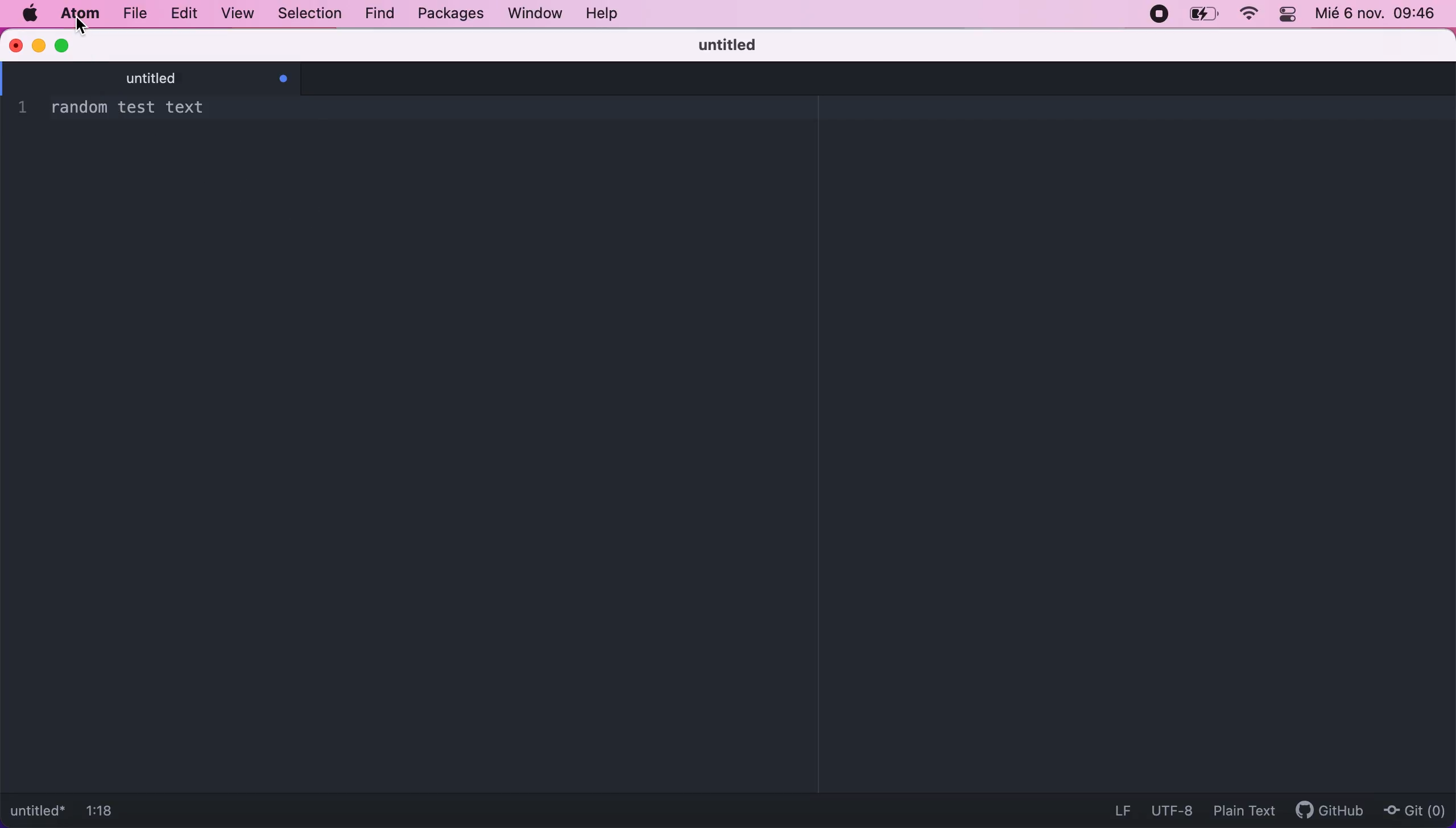 This screenshot has height=828, width=1456. What do you see at coordinates (1289, 15) in the screenshot?
I see `panel control` at bounding box center [1289, 15].